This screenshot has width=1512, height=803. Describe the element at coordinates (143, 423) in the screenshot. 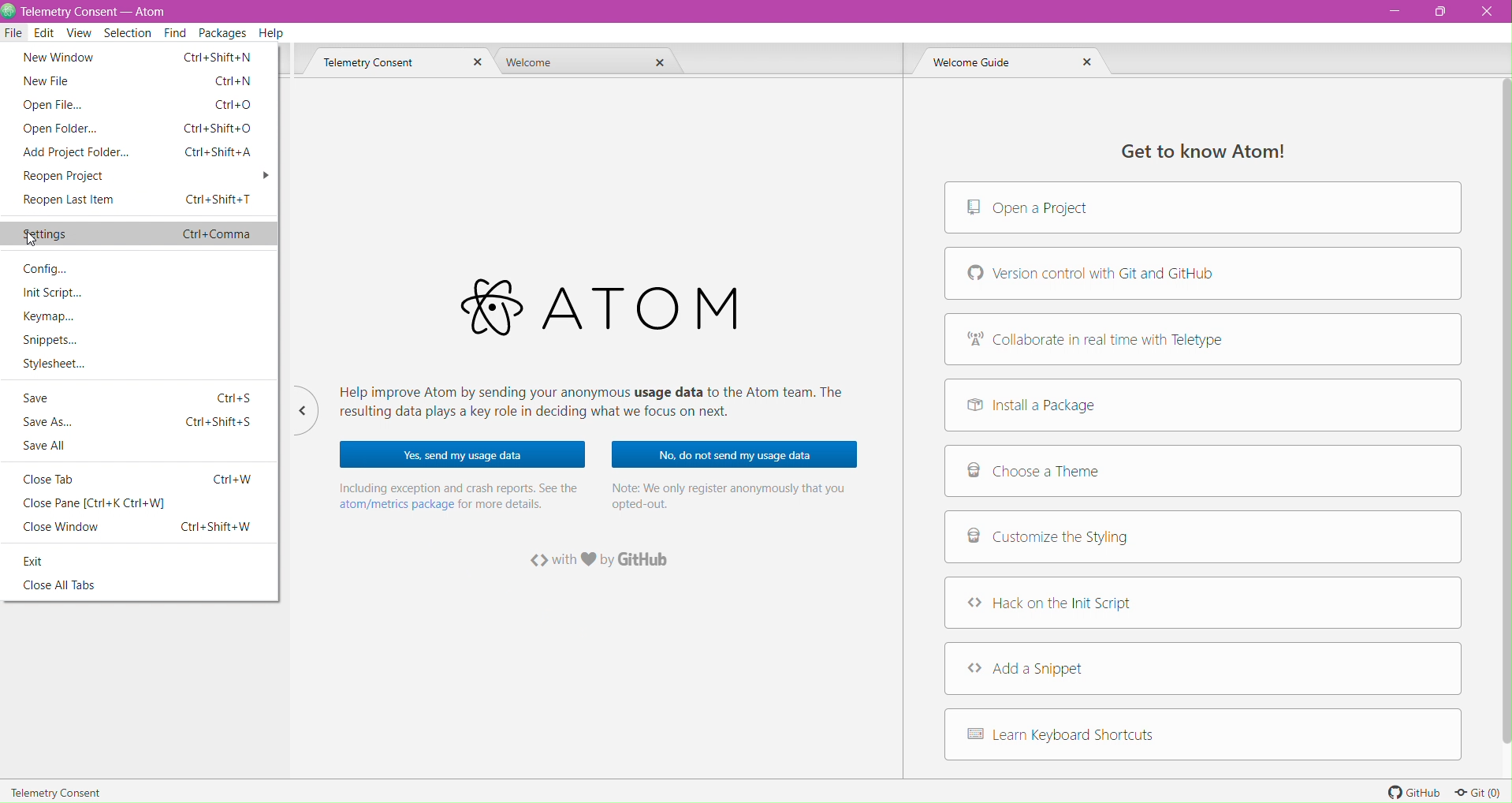

I see `Save As` at that location.